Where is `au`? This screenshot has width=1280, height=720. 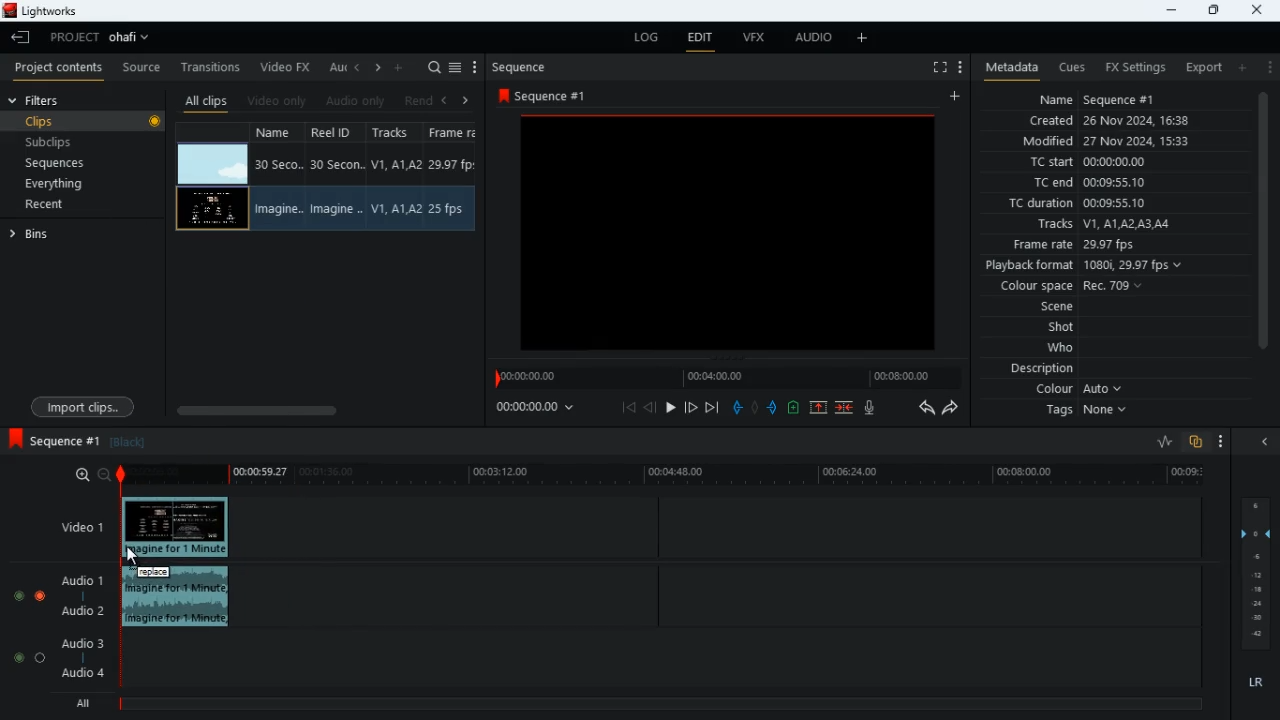
au is located at coordinates (338, 67).